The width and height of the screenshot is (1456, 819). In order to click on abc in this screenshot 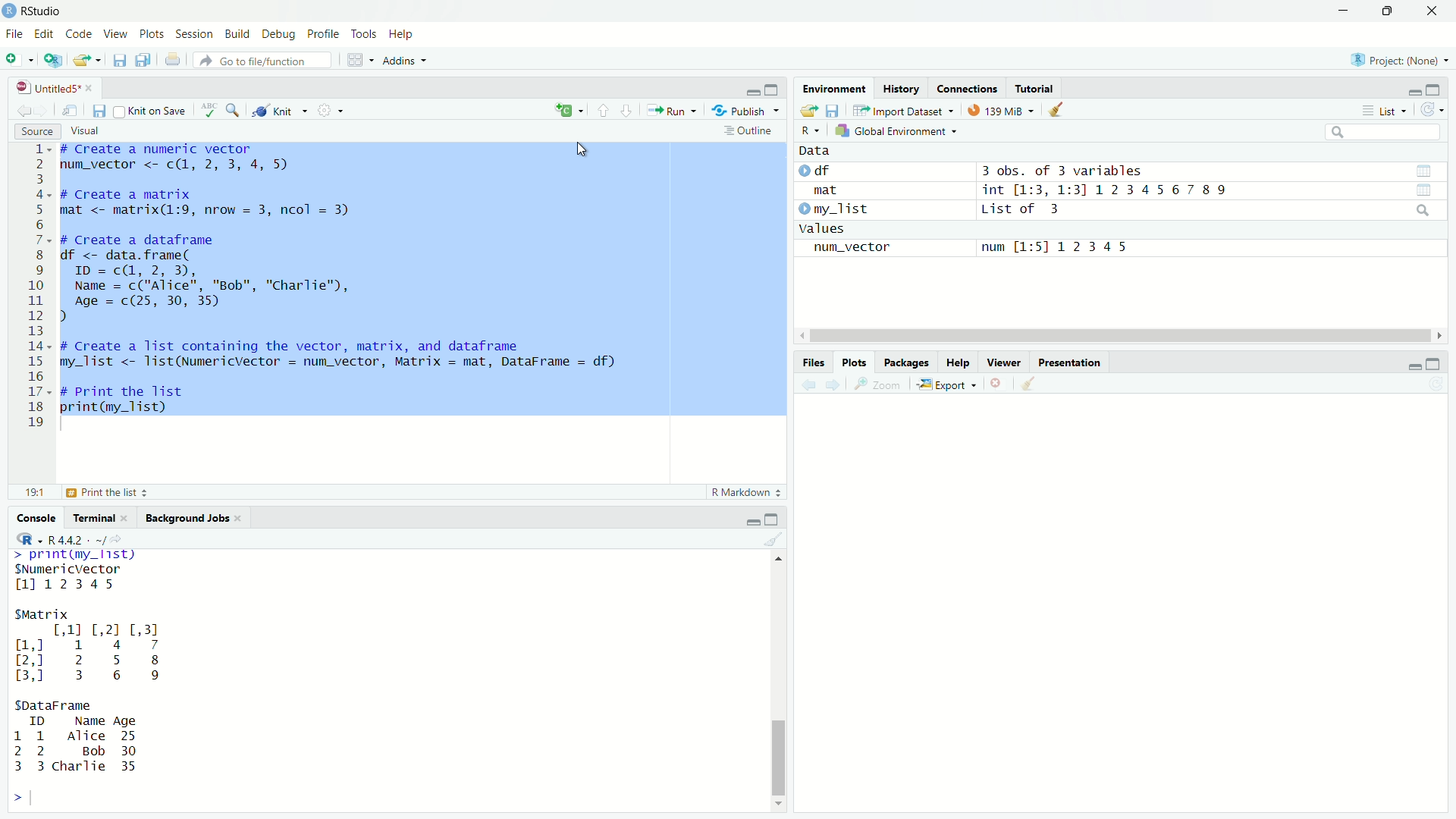, I will do `click(212, 109)`.